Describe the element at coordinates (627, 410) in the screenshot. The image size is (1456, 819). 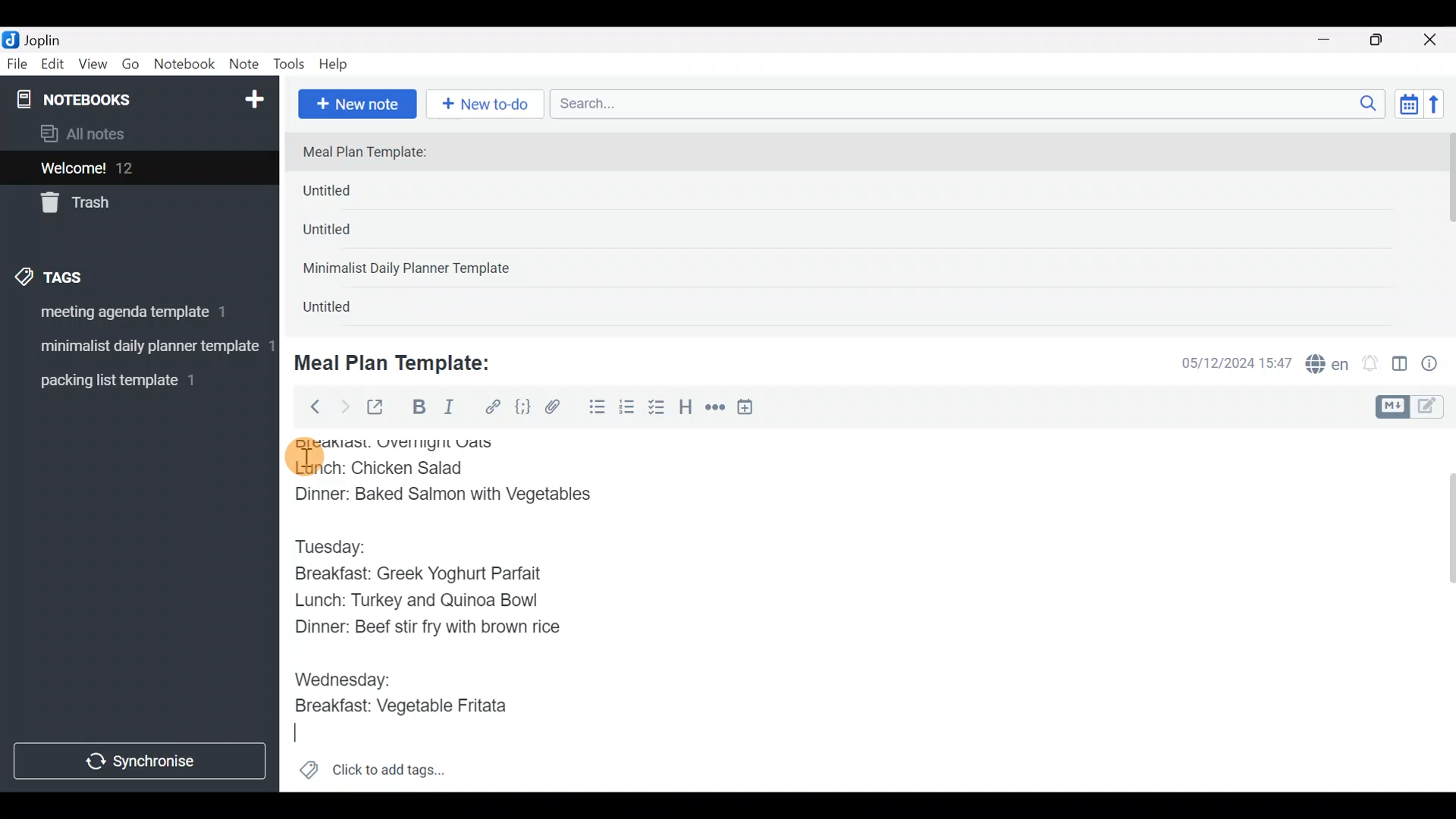
I see `Numbered list` at that location.